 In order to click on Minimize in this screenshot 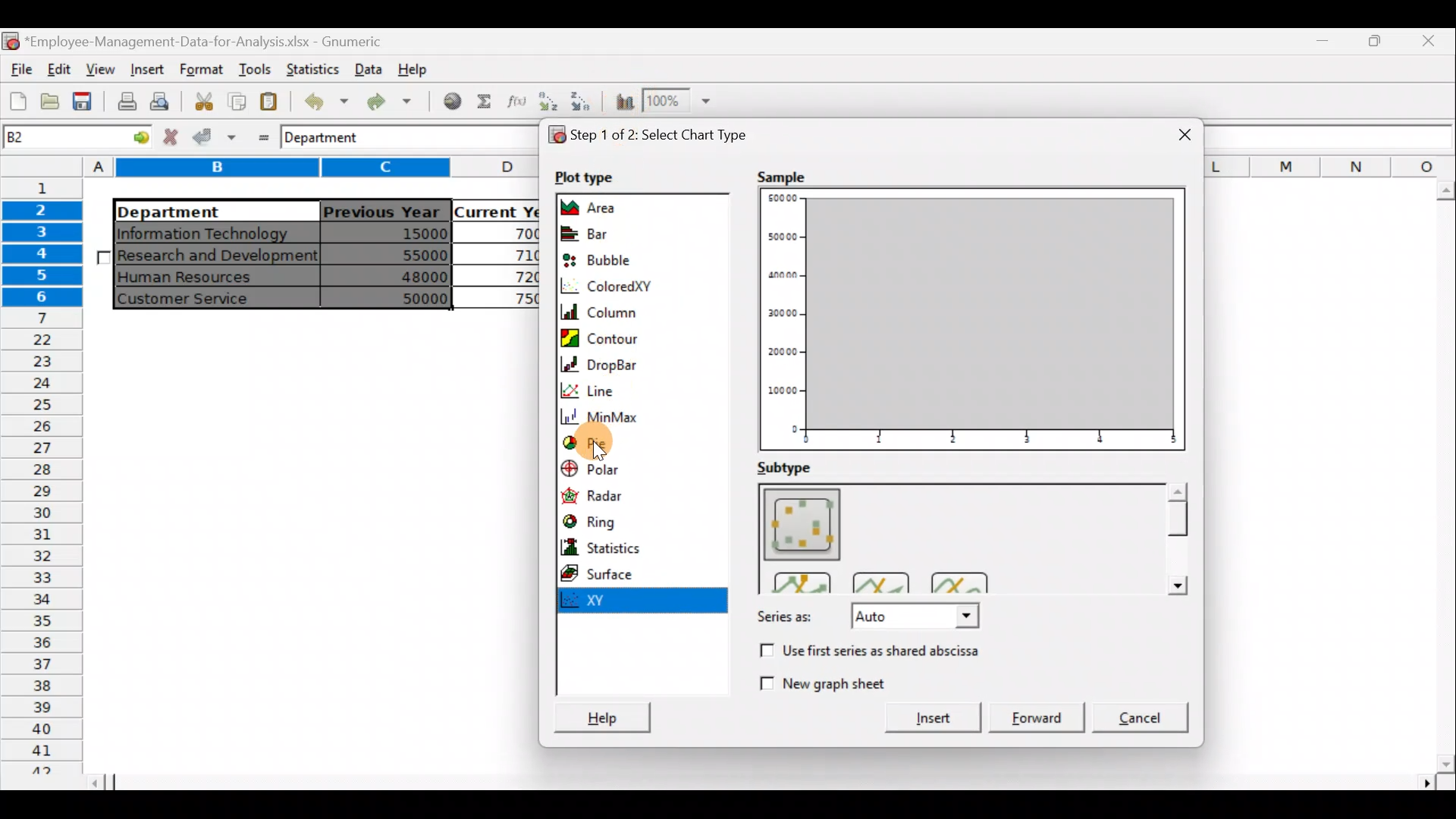, I will do `click(1376, 46)`.